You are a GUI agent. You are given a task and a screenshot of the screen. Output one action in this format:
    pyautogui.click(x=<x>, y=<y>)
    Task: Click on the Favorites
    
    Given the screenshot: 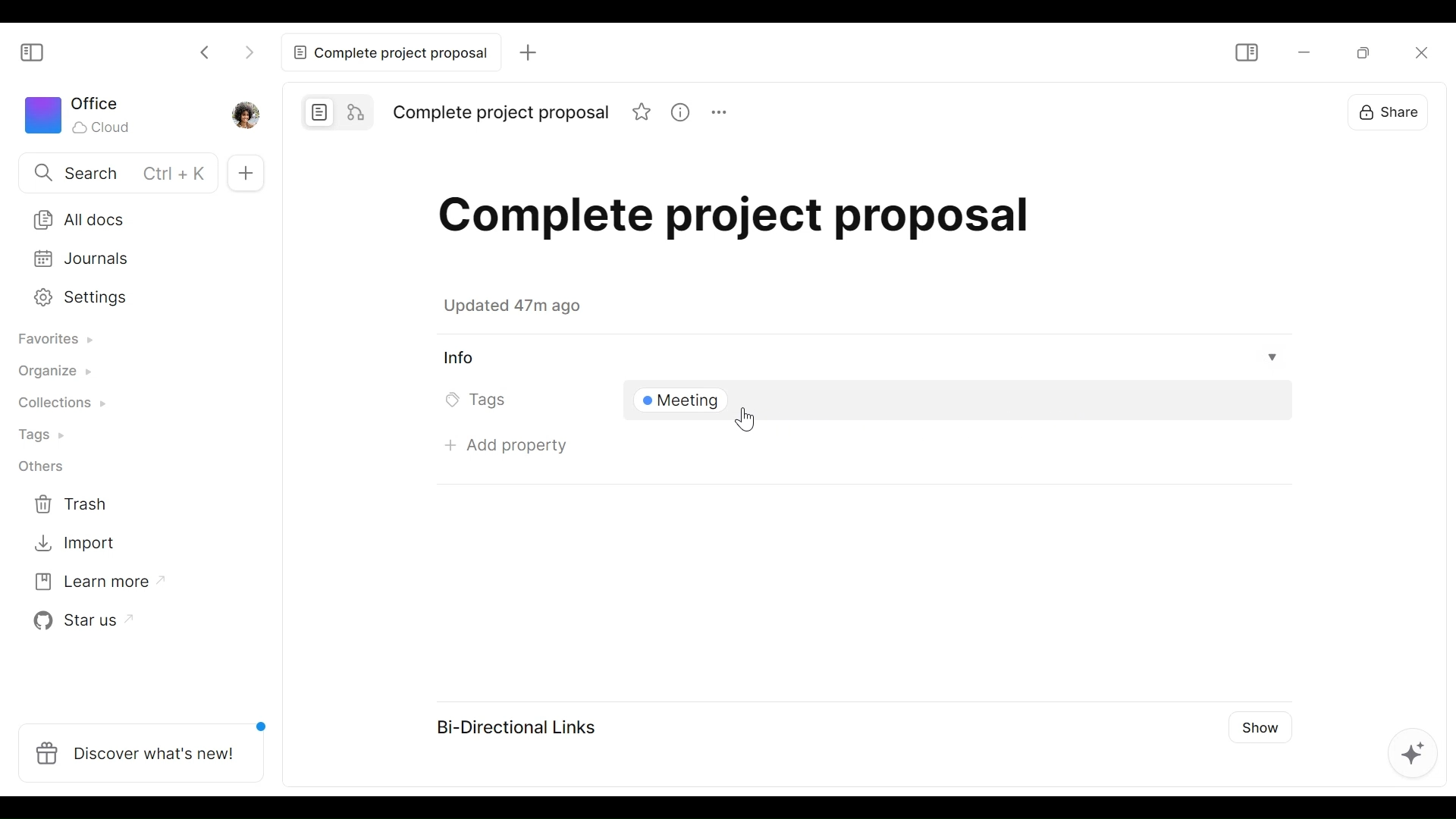 What is the action you would take?
    pyautogui.click(x=61, y=339)
    